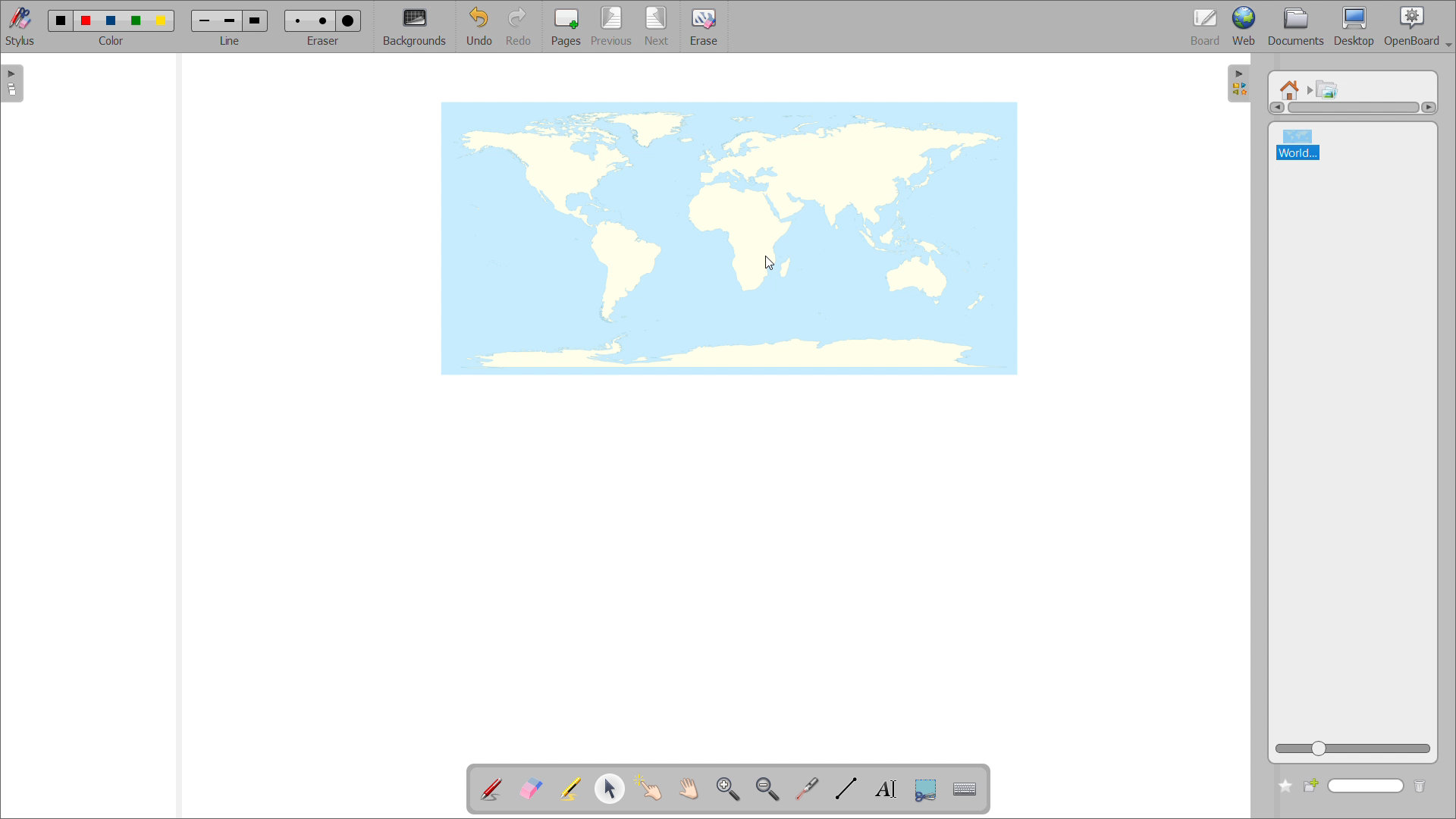 The height and width of the screenshot is (819, 1456). What do you see at coordinates (1276, 107) in the screenshot?
I see `scroll left` at bounding box center [1276, 107].